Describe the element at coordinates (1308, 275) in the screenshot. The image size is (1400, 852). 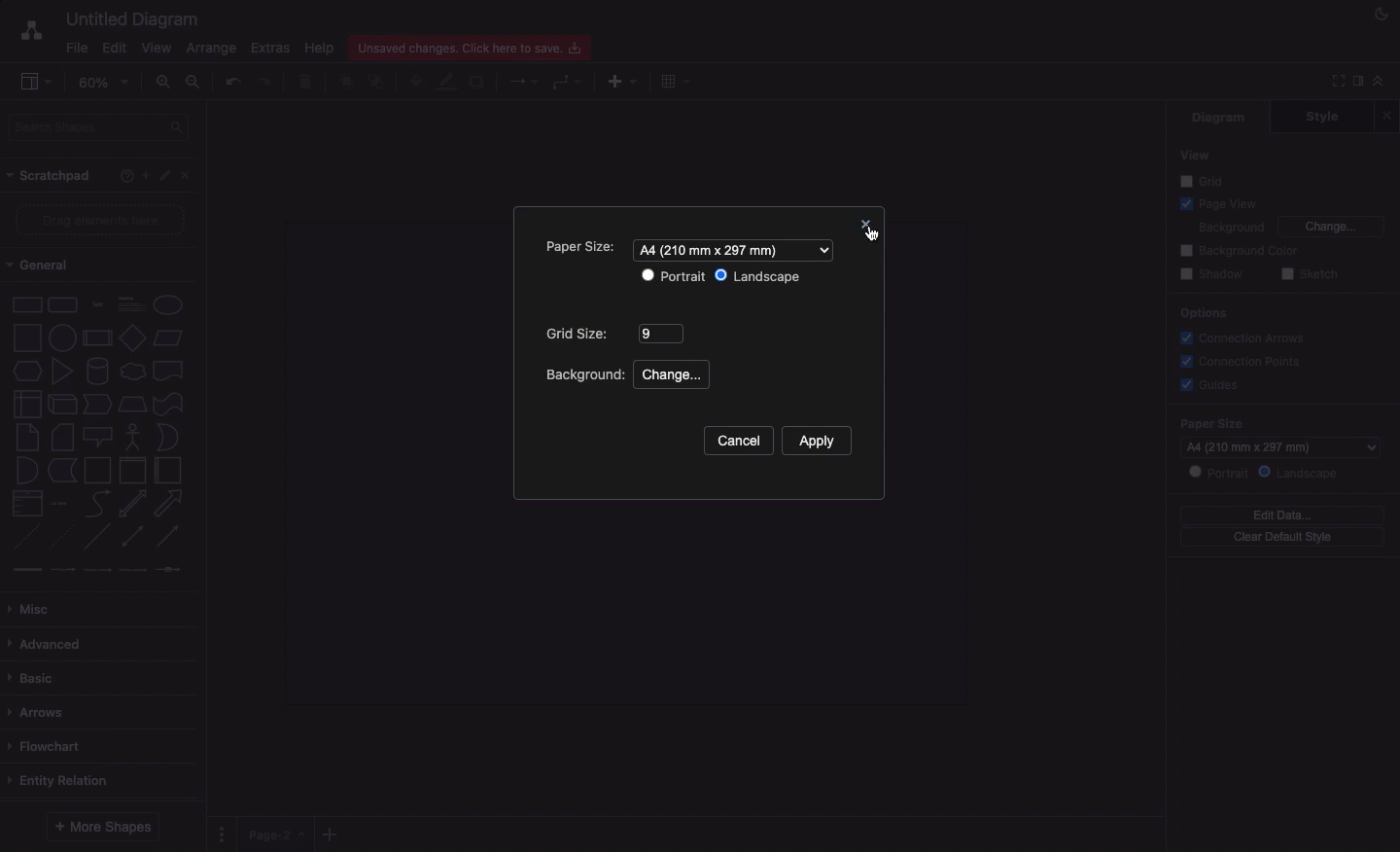
I see `Sketch` at that location.